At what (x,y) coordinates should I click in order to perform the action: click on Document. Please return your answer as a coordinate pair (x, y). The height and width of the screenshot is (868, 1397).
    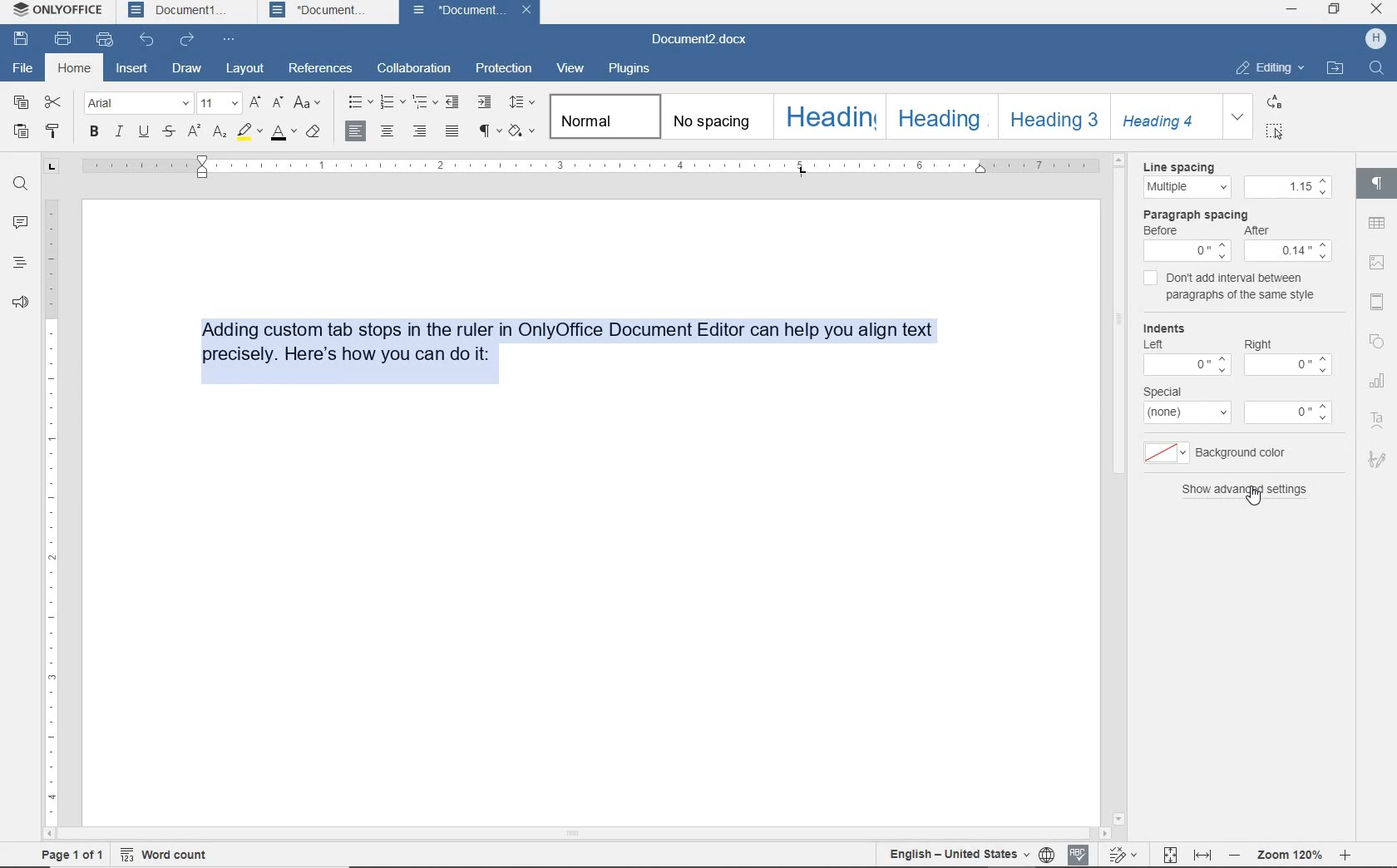
    Looking at the image, I should click on (462, 12).